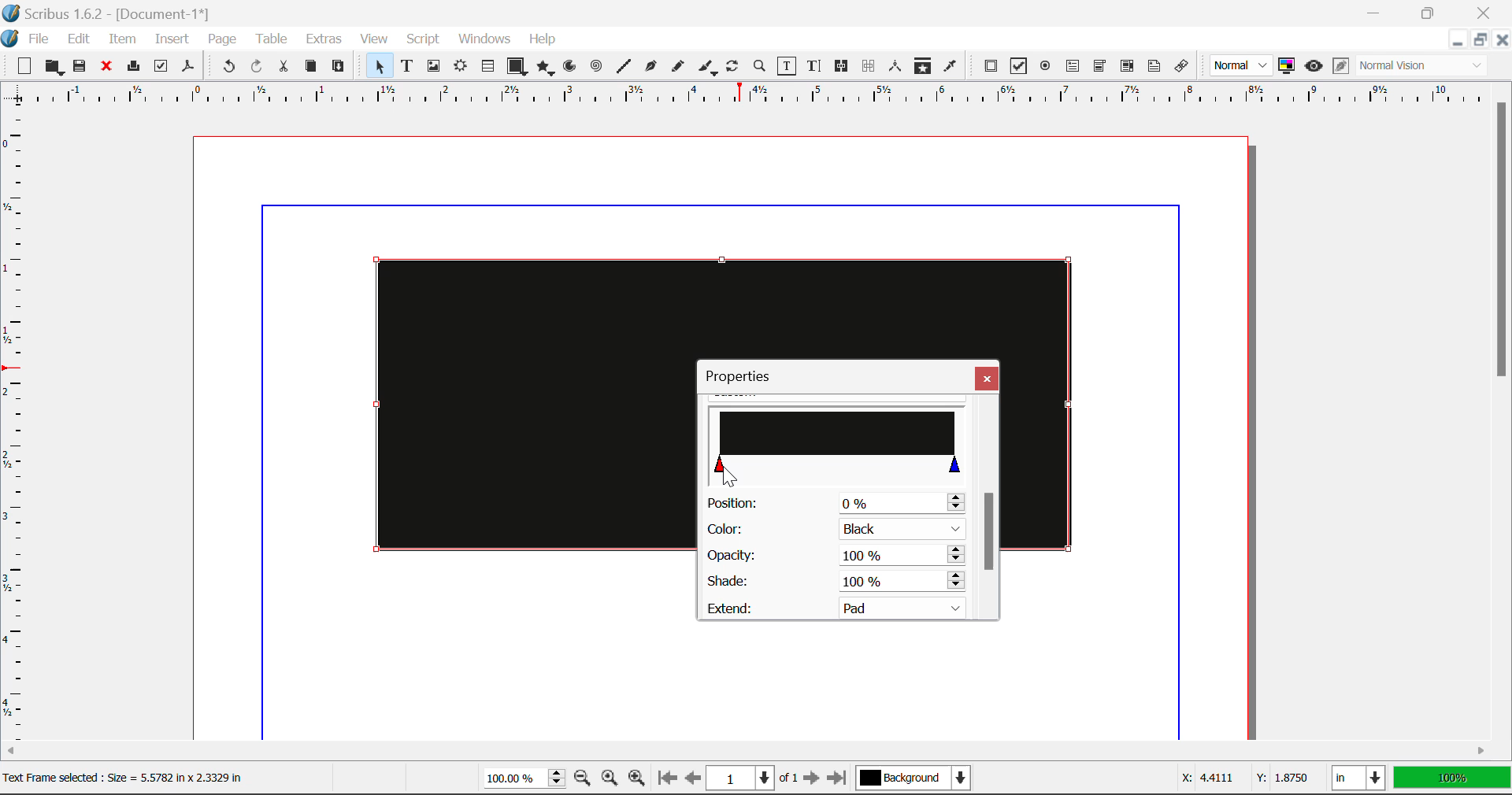 Image resolution: width=1512 pixels, height=795 pixels. Describe the element at coordinates (840, 781) in the screenshot. I see `Last Page` at that location.